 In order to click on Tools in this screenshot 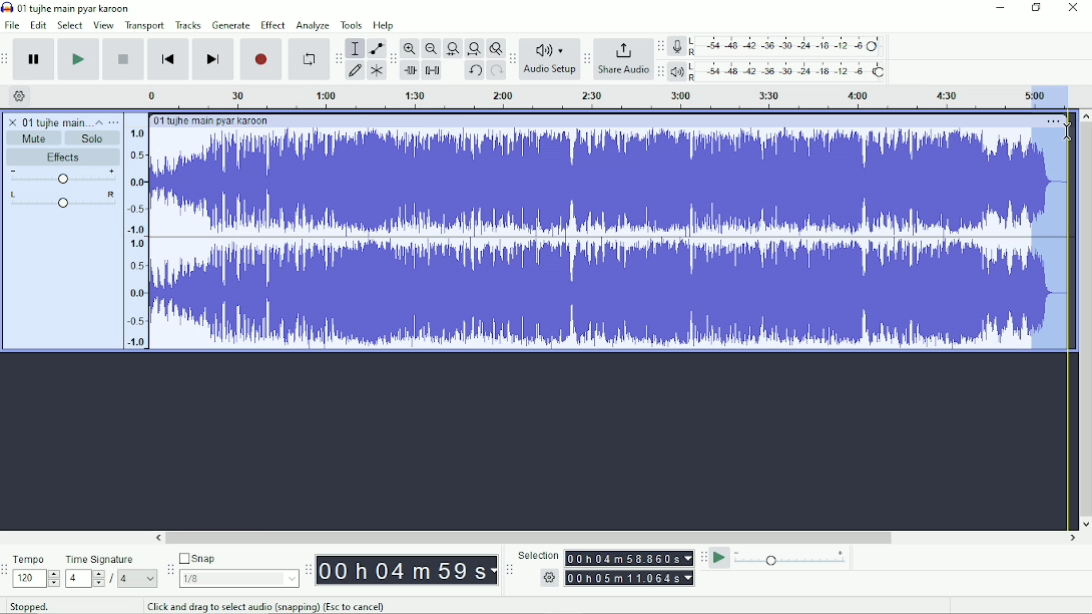, I will do `click(353, 25)`.